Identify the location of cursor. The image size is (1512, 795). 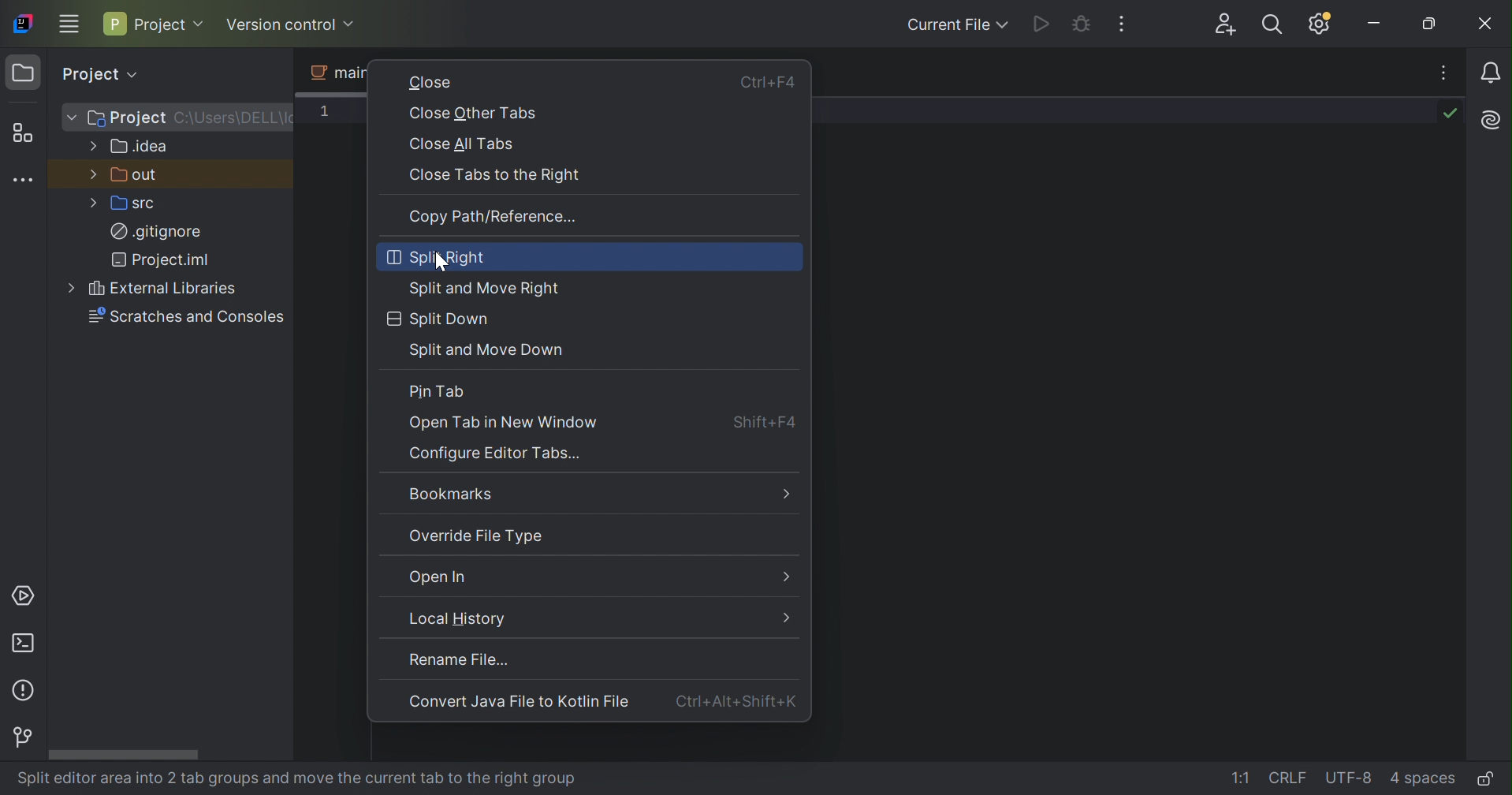
(438, 261).